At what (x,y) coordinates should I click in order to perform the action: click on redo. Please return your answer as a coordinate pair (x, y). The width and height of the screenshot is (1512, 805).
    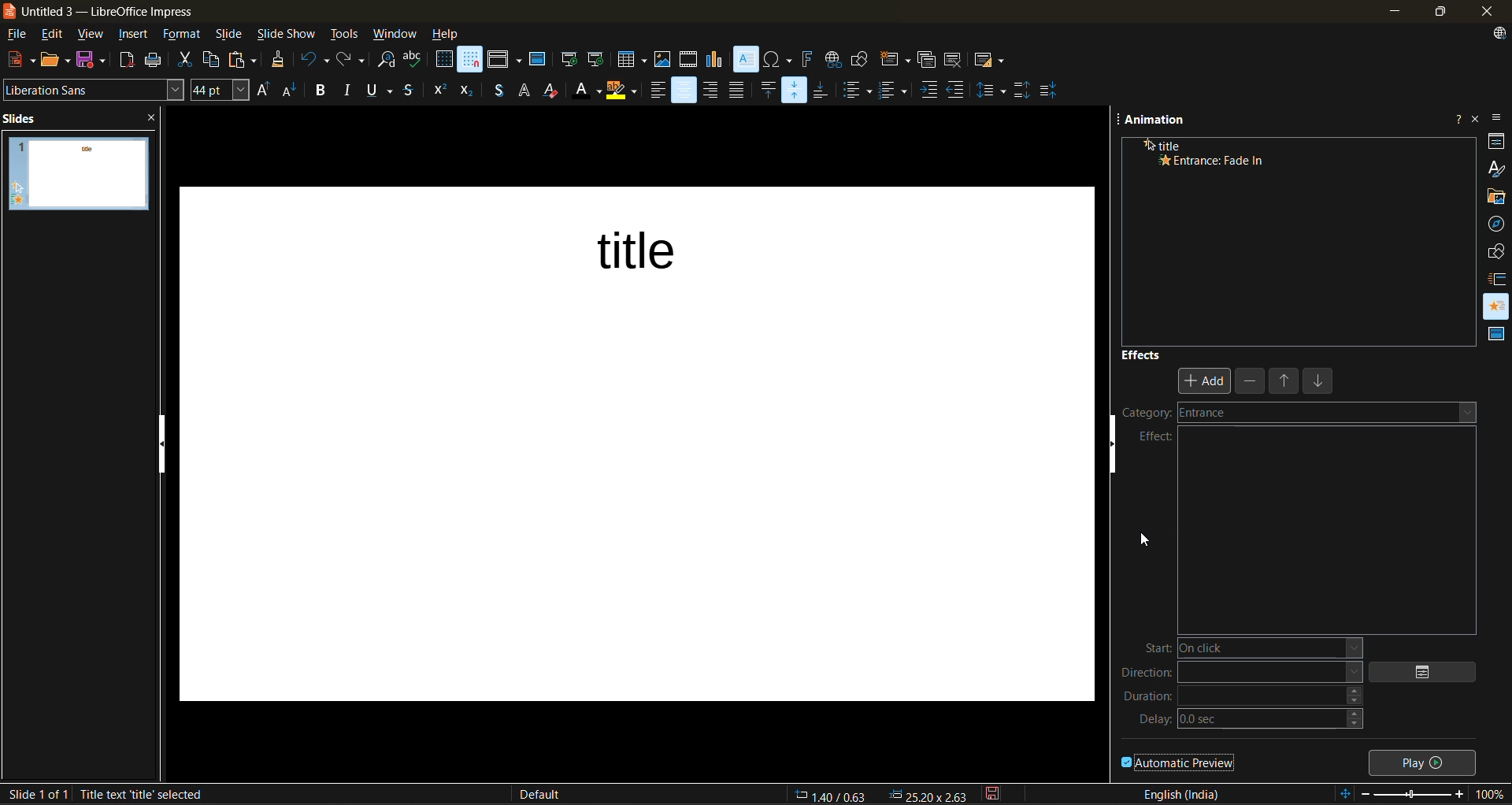
    Looking at the image, I should click on (349, 59).